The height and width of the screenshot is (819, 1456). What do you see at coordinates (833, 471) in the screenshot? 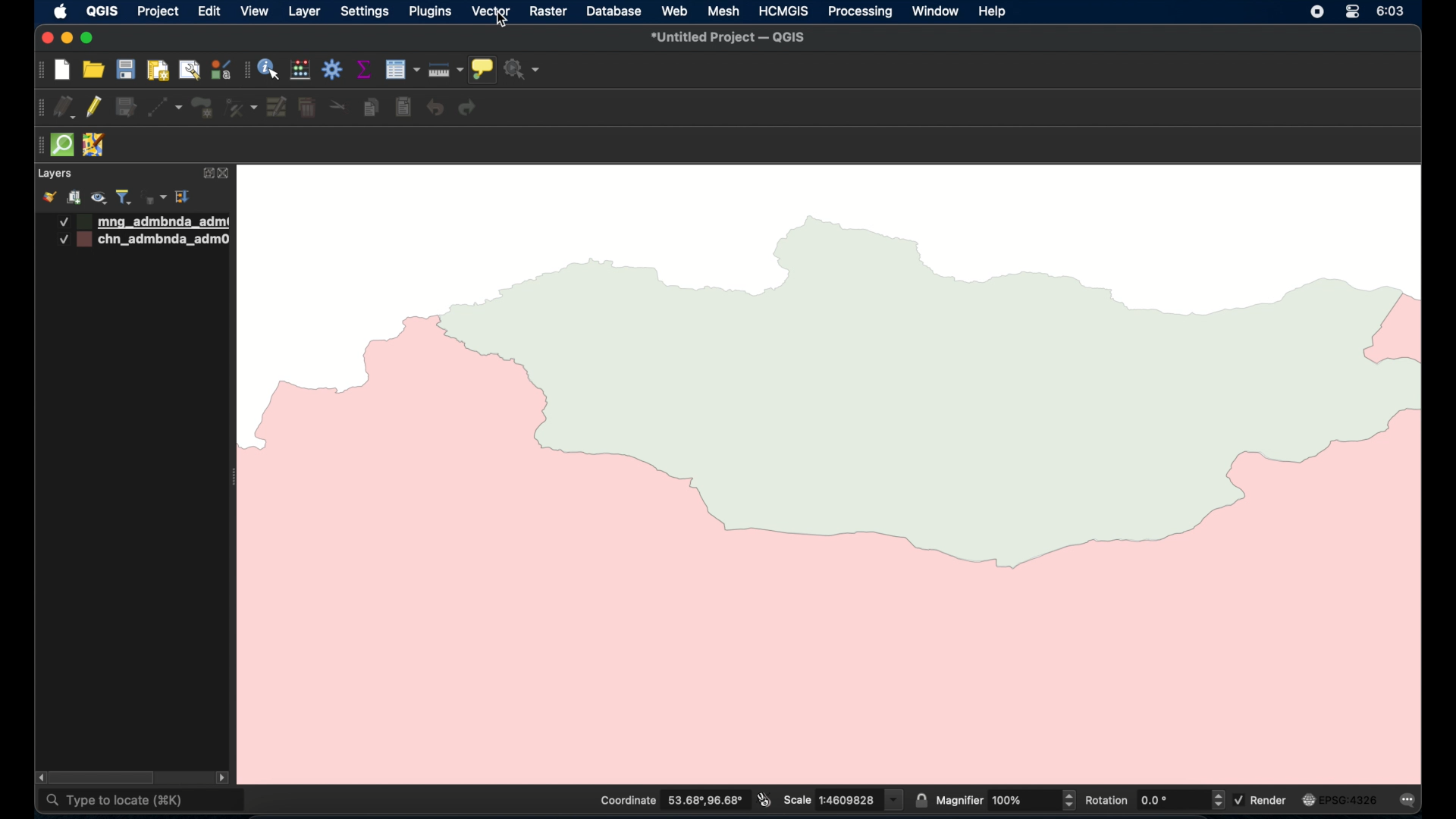
I see `vector map of Mongolia and china` at bounding box center [833, 471].